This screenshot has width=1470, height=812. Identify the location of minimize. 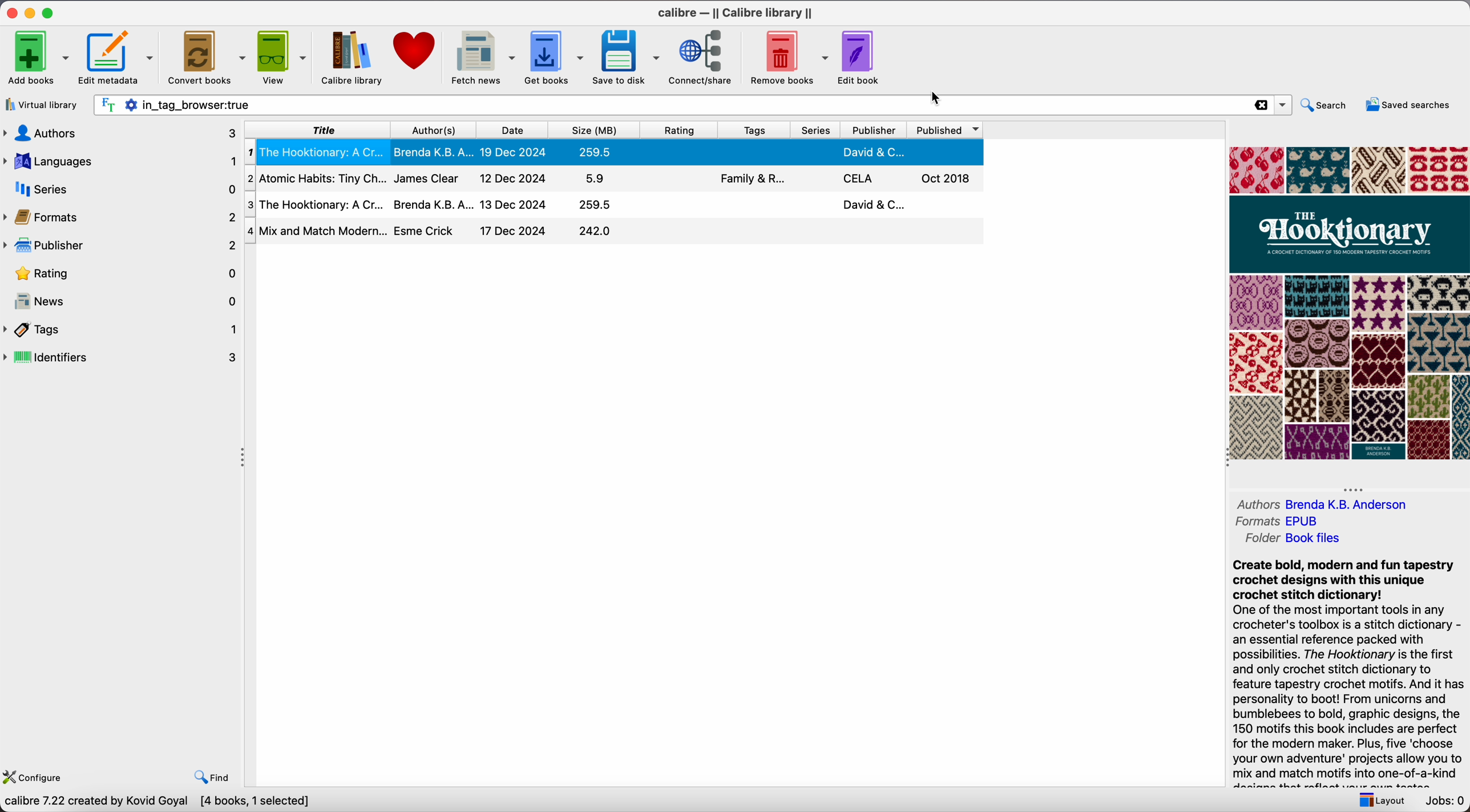
(30, 11).